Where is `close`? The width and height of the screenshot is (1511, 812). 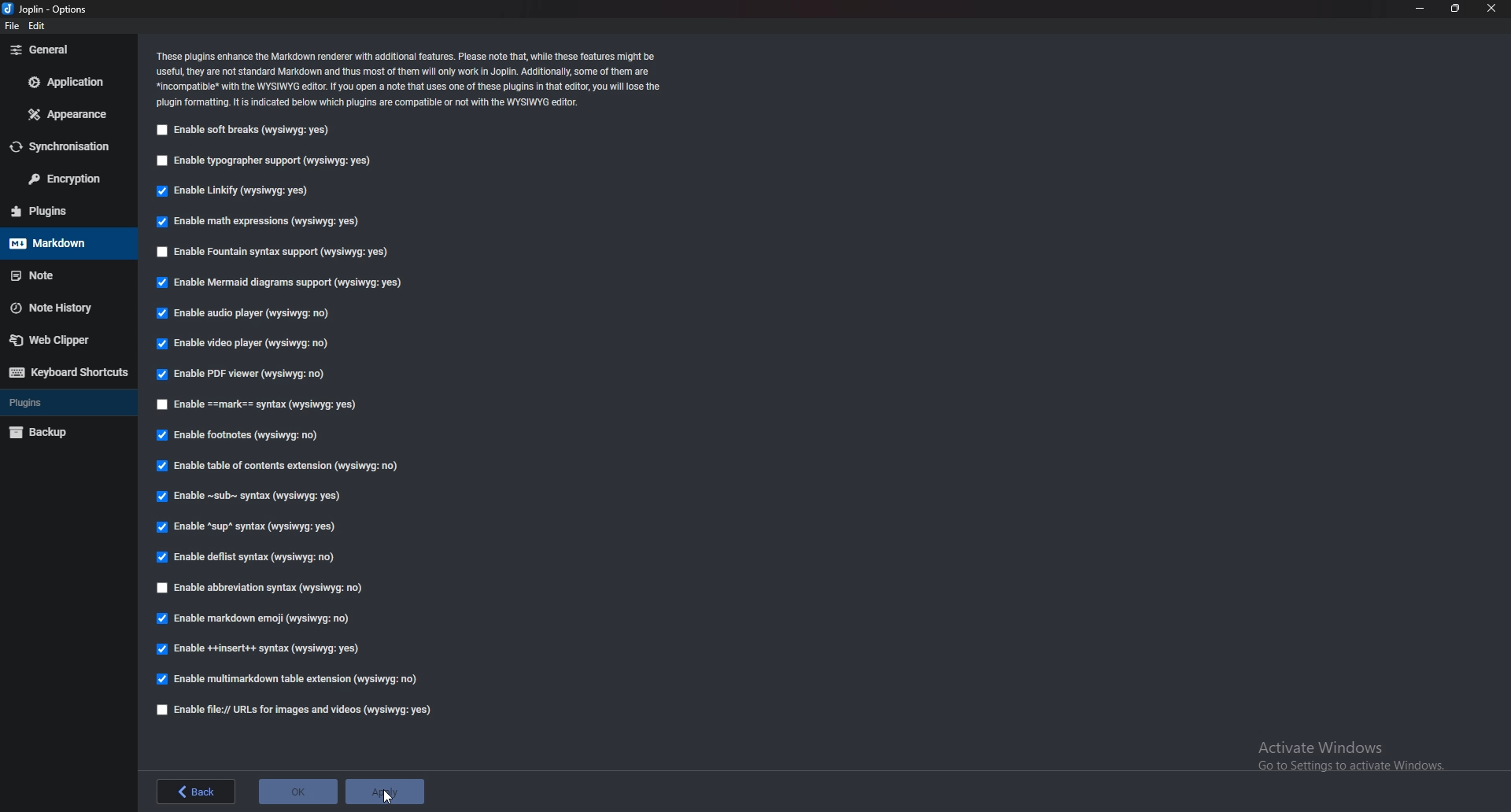
close is located at coordinates (1493, 9).